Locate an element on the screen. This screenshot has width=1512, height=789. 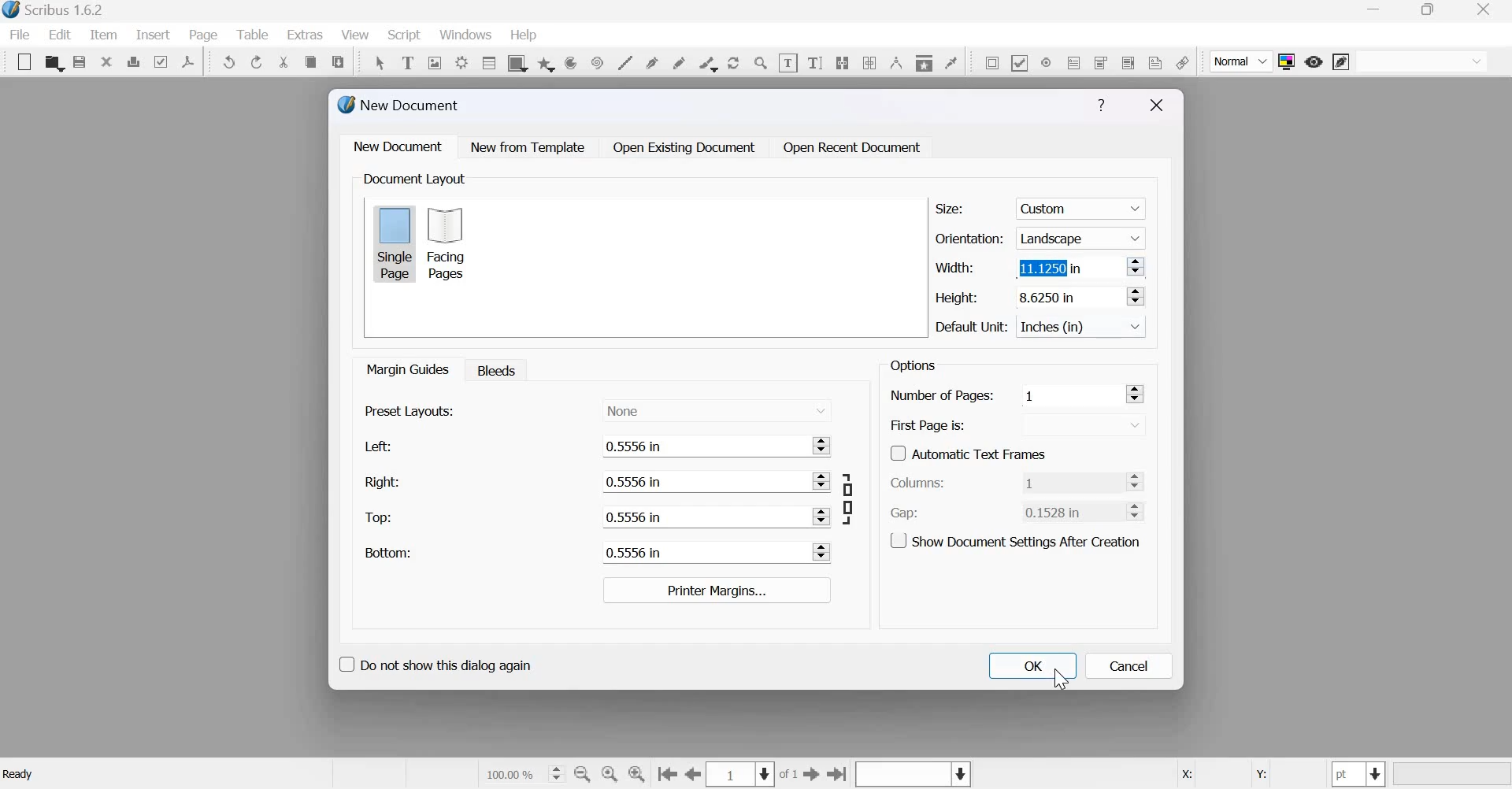
bezier curve is located at coordinates (654, 61).